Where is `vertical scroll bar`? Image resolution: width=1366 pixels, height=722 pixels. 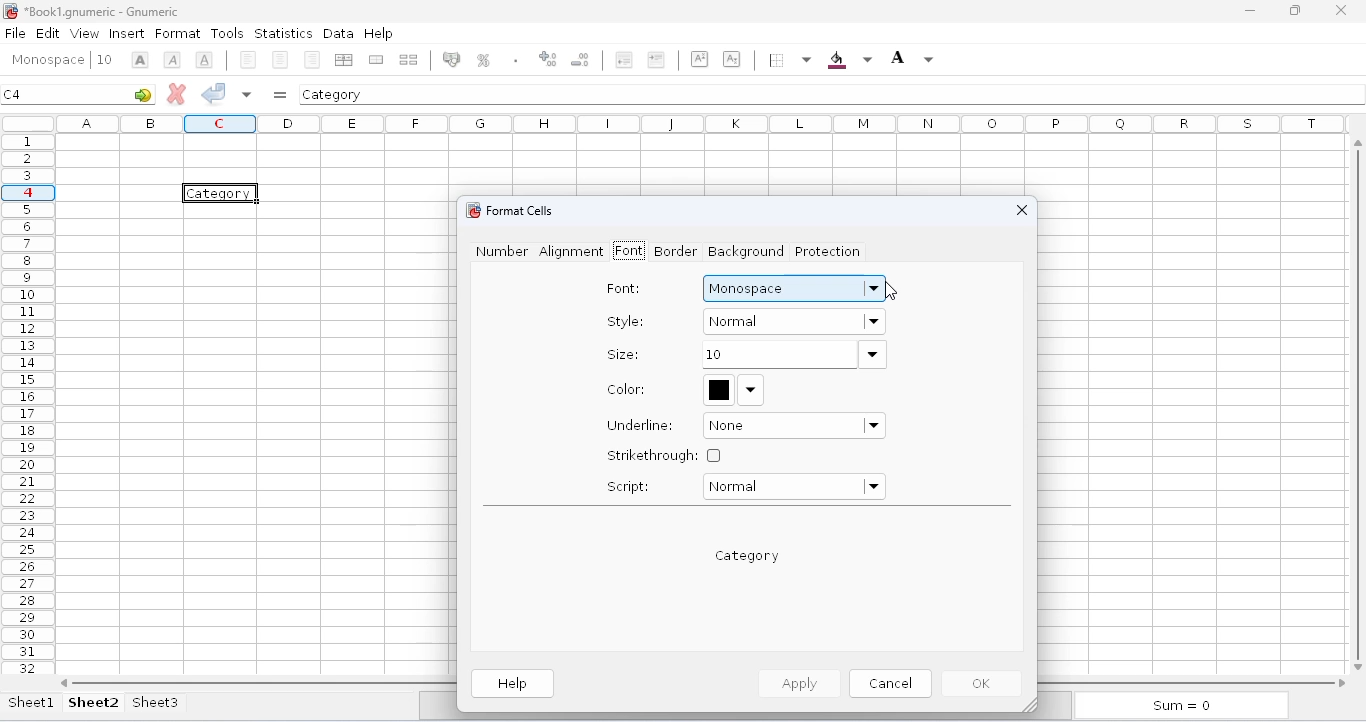 vertical scroll bar is located at coordinates (1361, 402).